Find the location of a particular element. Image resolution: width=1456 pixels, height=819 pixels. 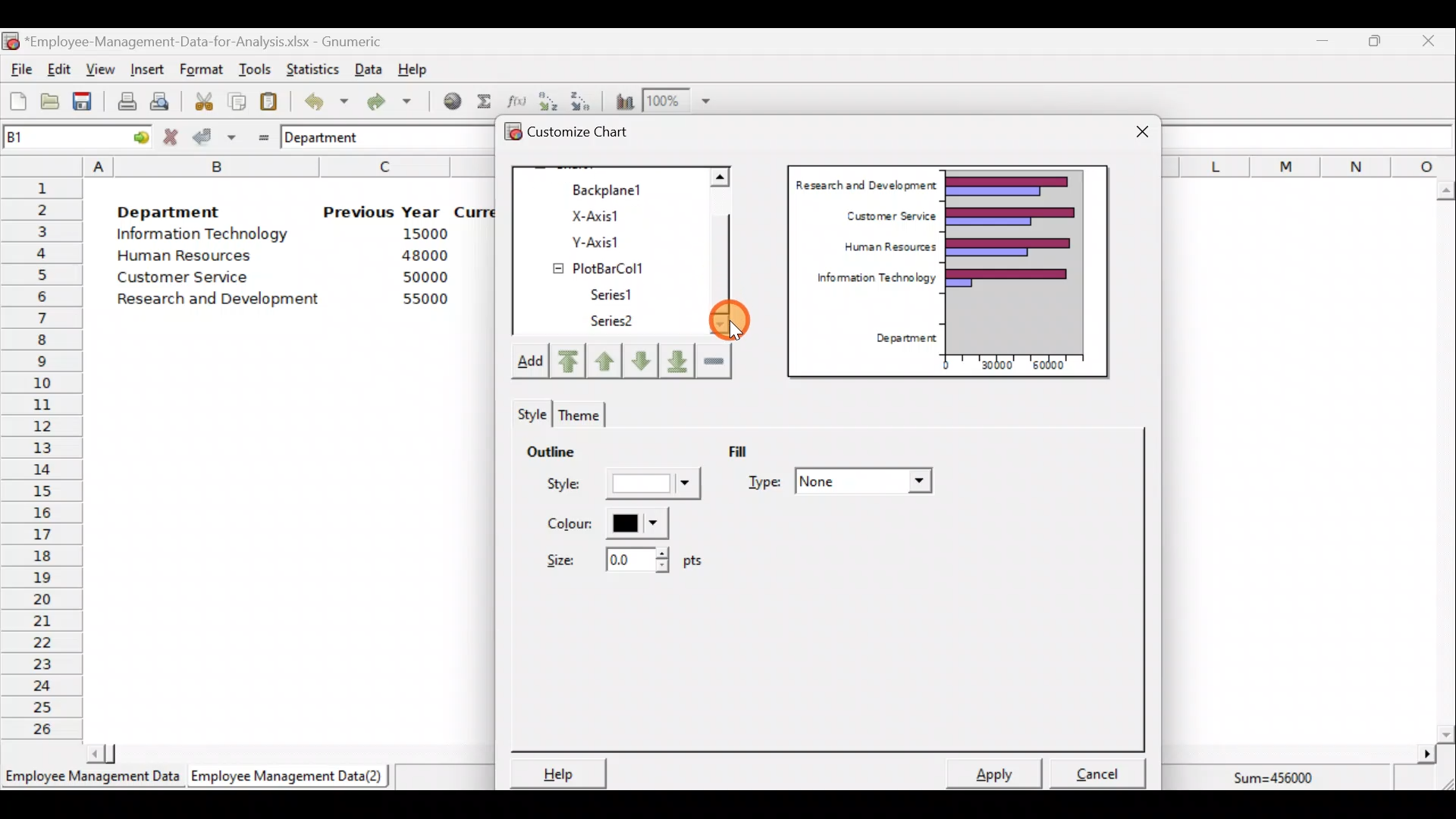

Save the current workbook is located at coordinates (87, 104).